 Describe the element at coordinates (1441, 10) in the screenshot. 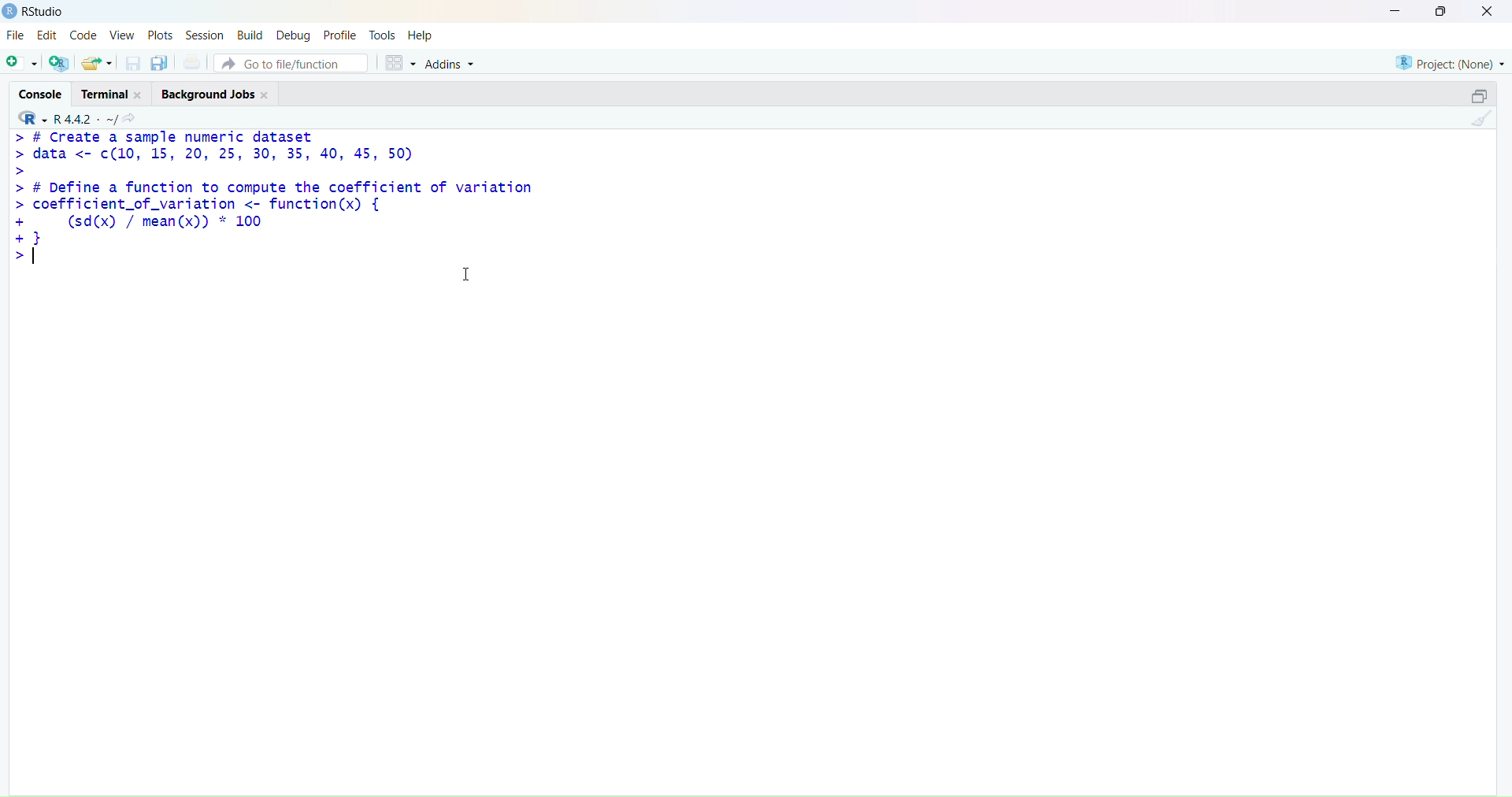

I see `maximise` at that location.